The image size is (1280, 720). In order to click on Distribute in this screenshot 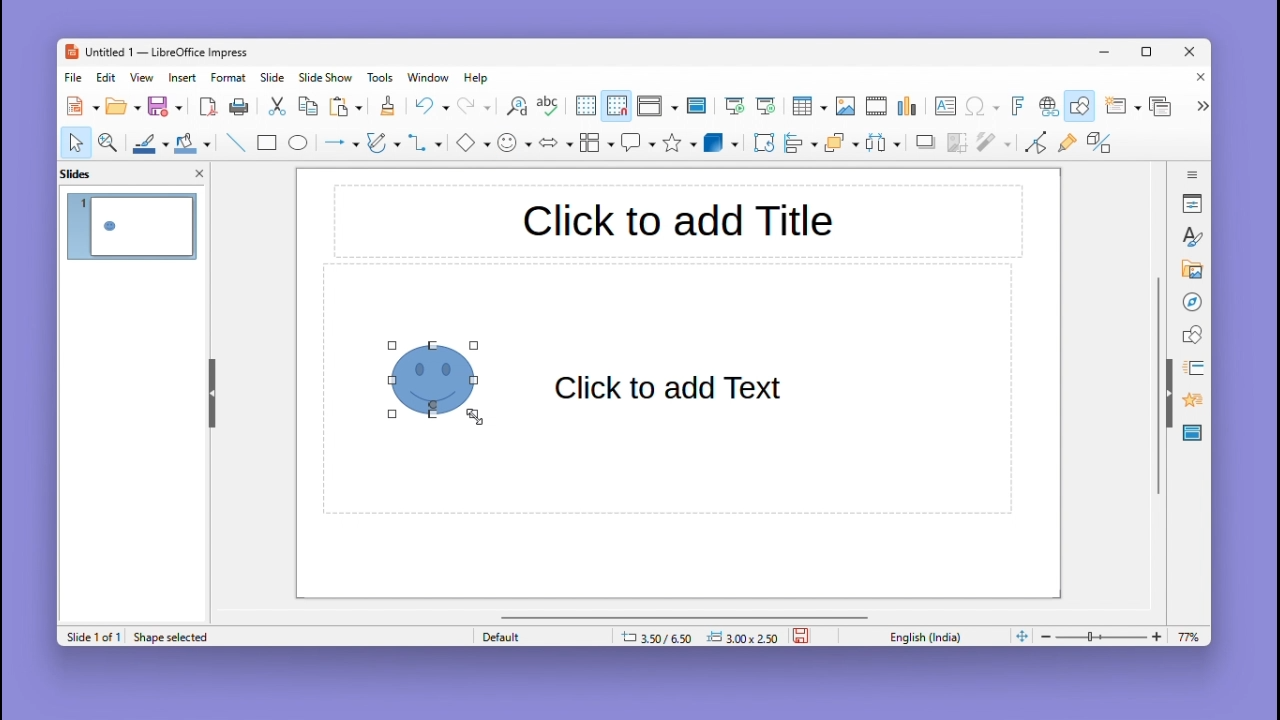, I will do `click(886, 145)`.